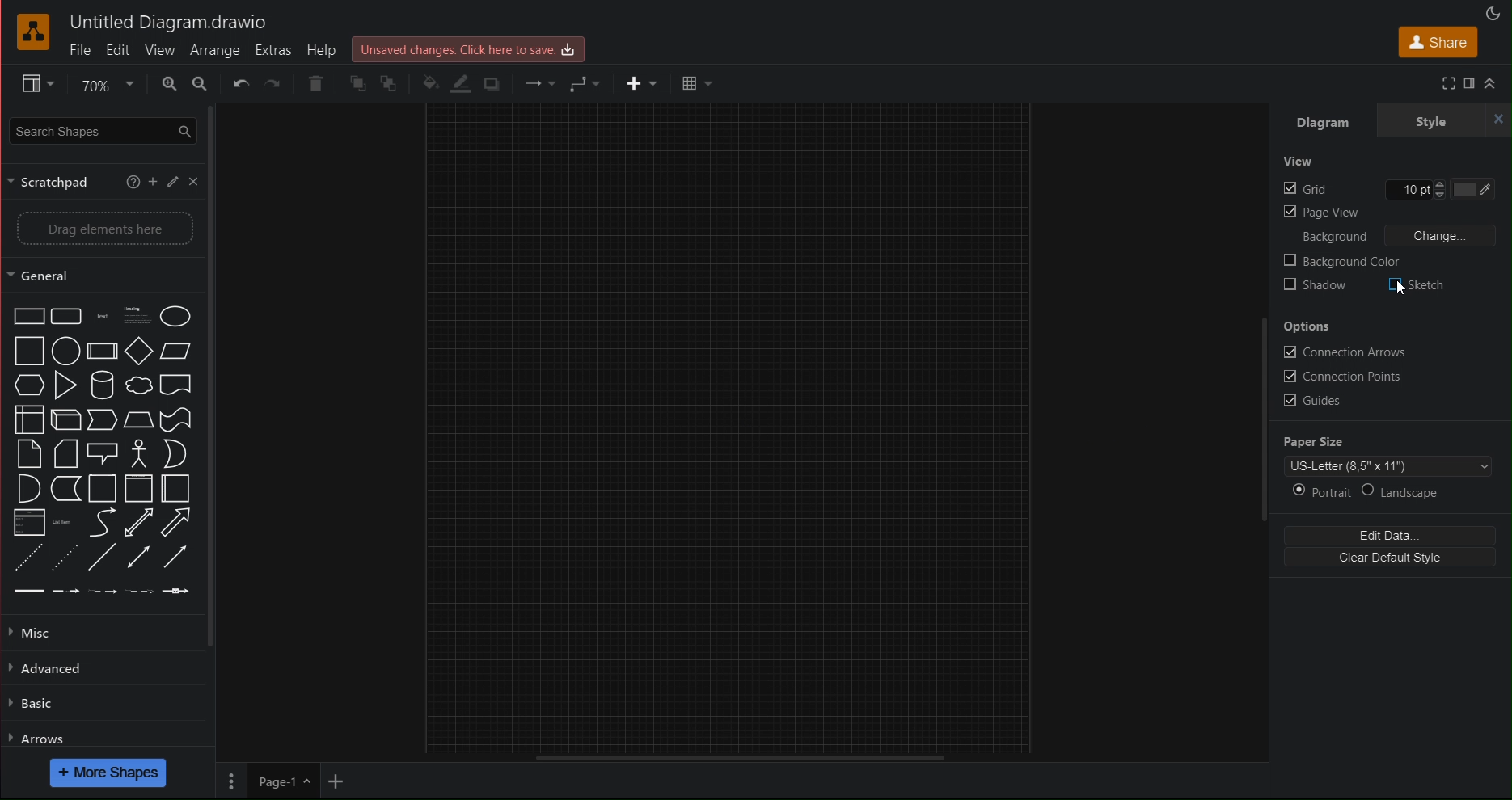 Image resolution: width=1512 pixels, height=800 pixels. What do you see at coordinates (1448, 234) in the screenshot?
I see `Change` at bounding box center [1448, 234].